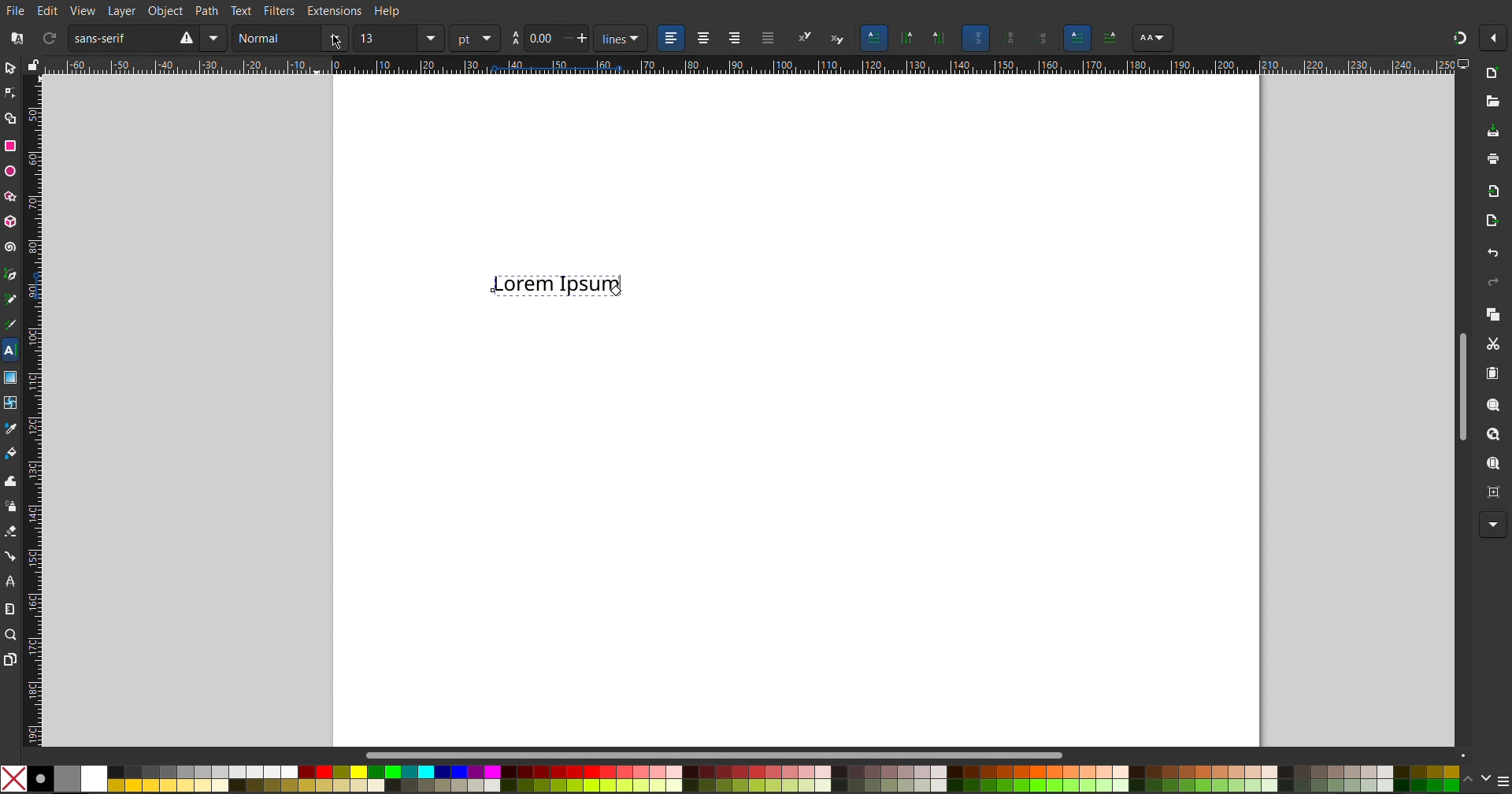  Describe the element at coordinates (805, 39) in the screenshot. I see `Superscript` at that location.